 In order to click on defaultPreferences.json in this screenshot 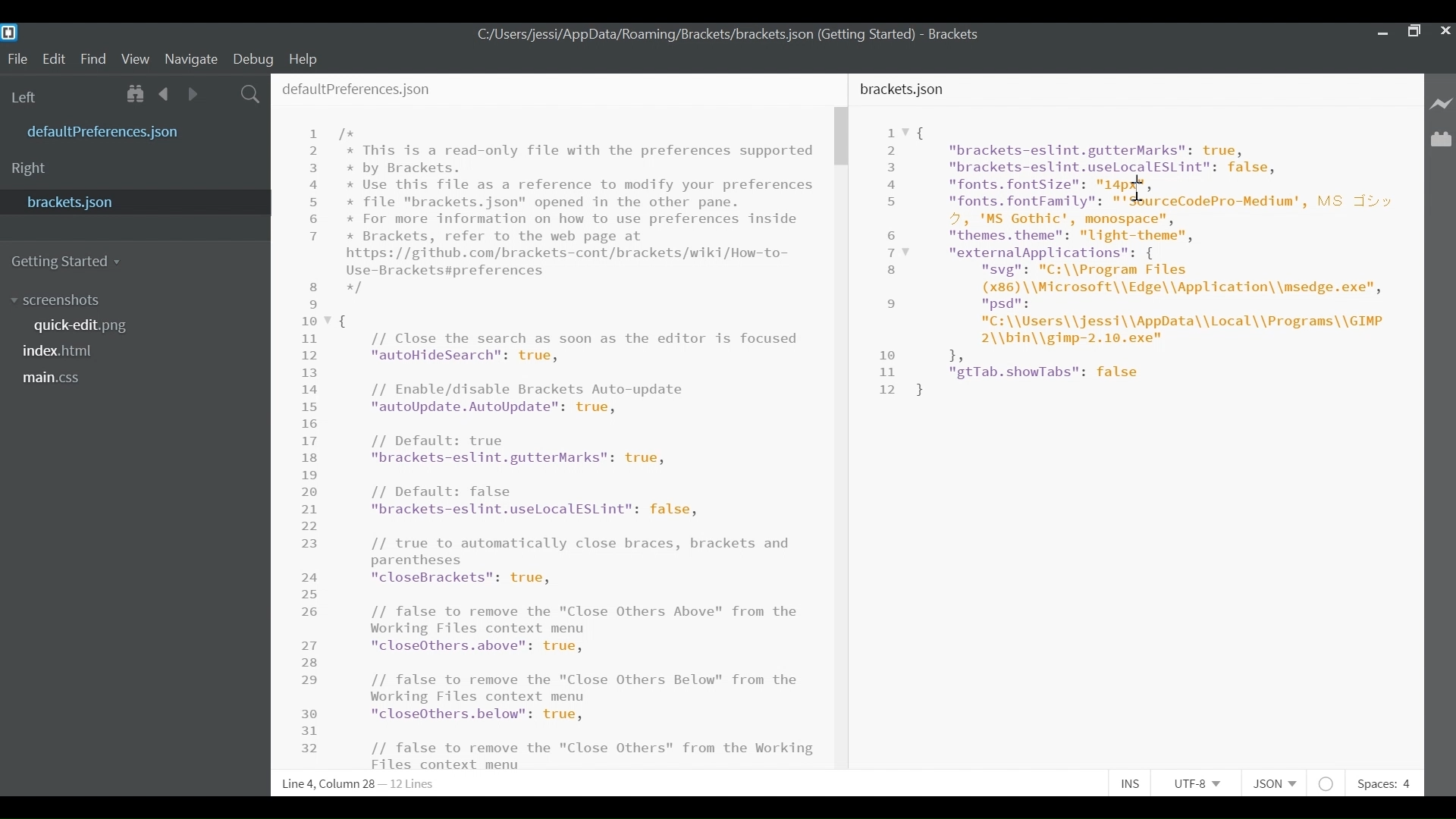, I will do `click(358, 89)`.